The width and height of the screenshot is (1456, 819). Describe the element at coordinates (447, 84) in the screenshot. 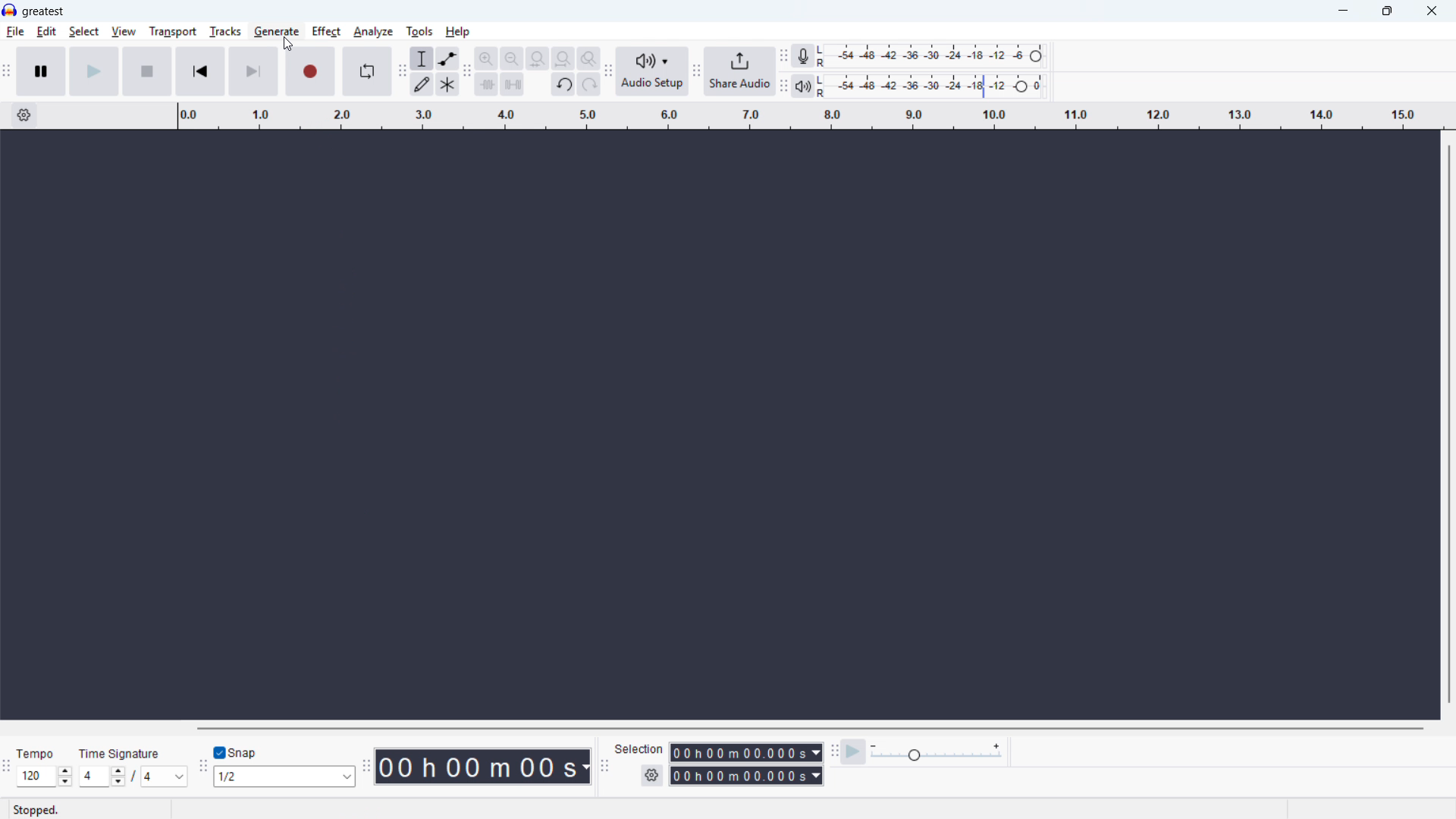

I see `multi-tool` at that location.